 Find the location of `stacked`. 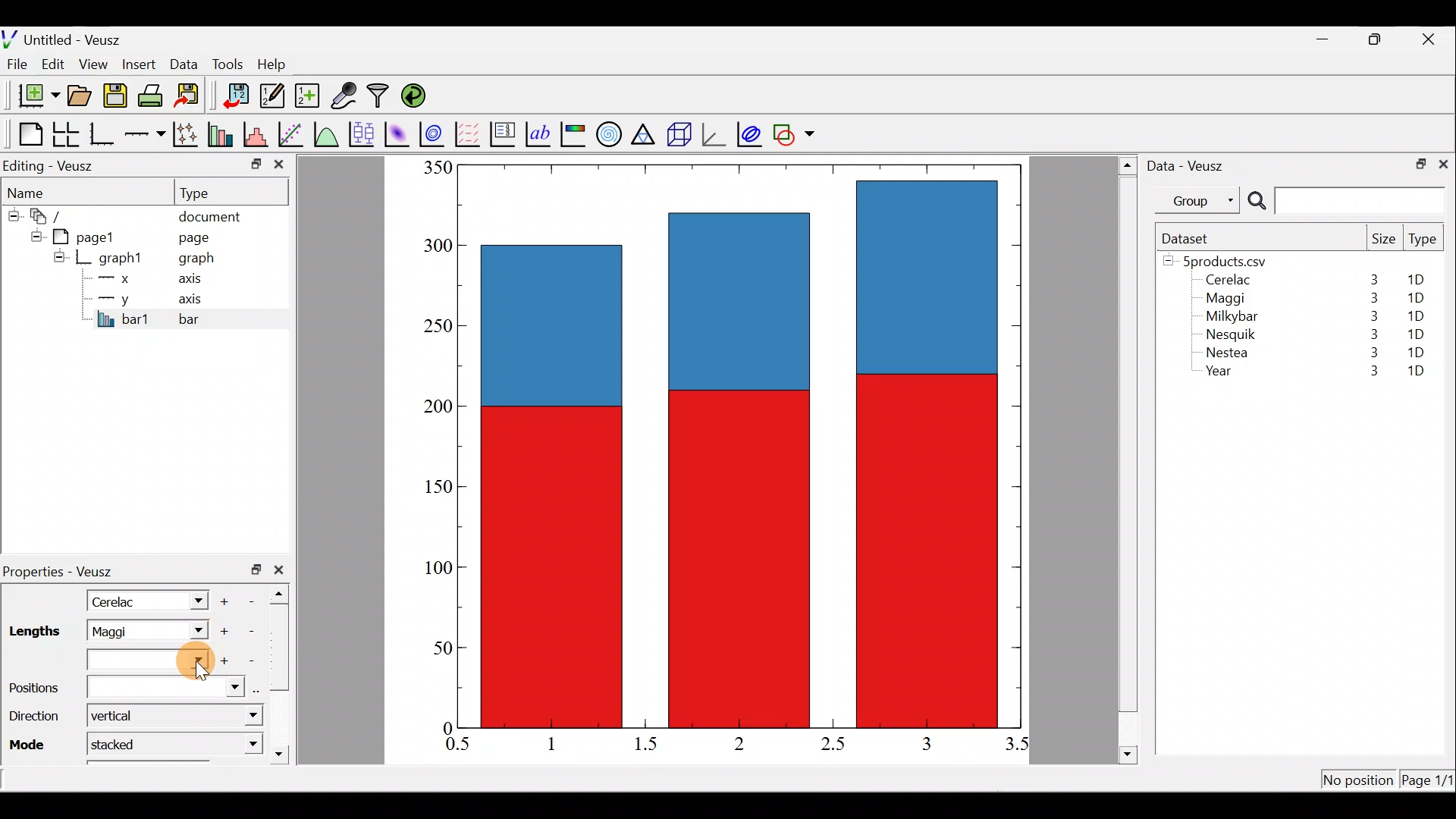

stacked is located at coordinates (124, 743).